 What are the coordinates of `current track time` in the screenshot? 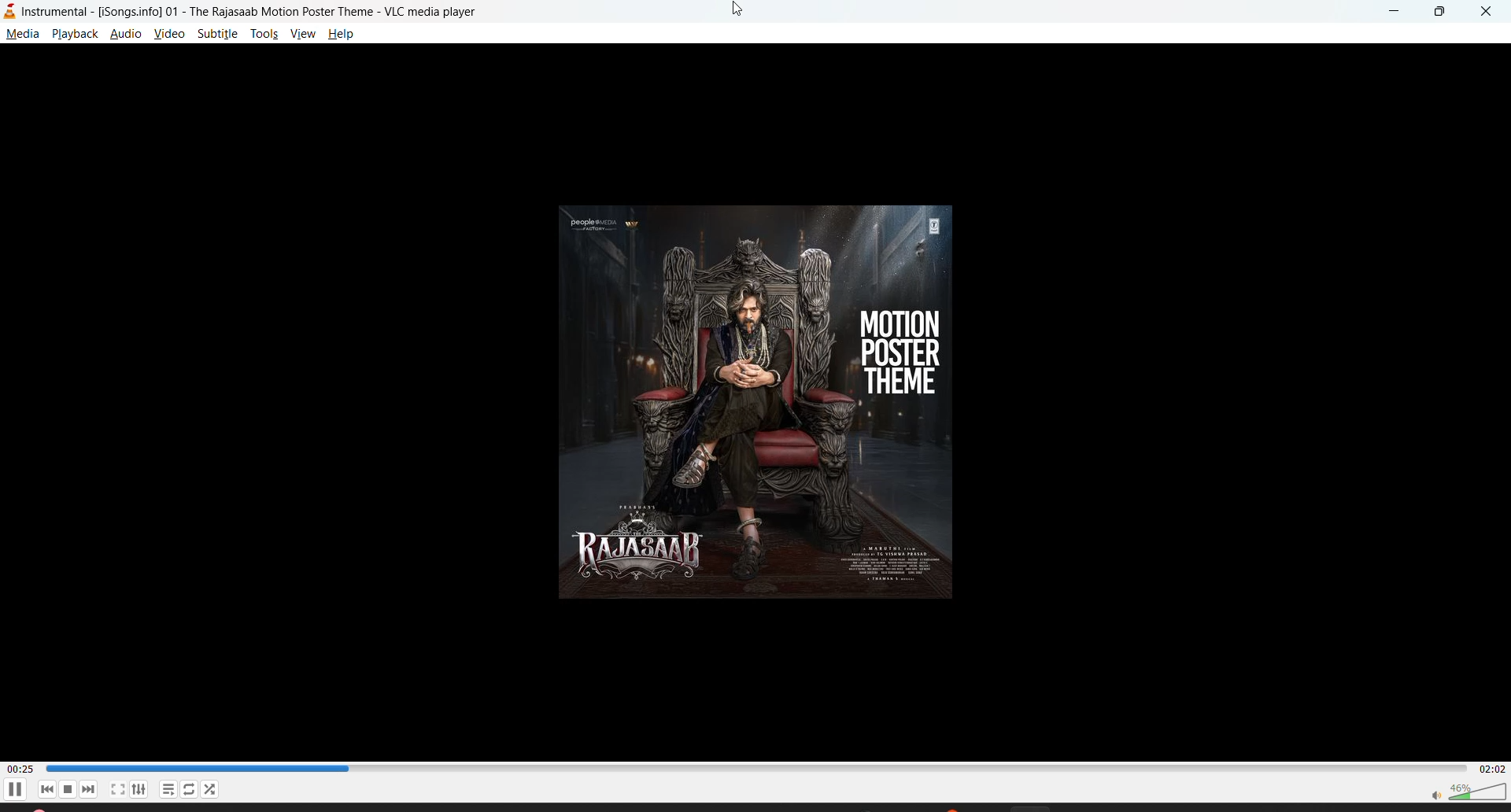 It's located at (20, 768).